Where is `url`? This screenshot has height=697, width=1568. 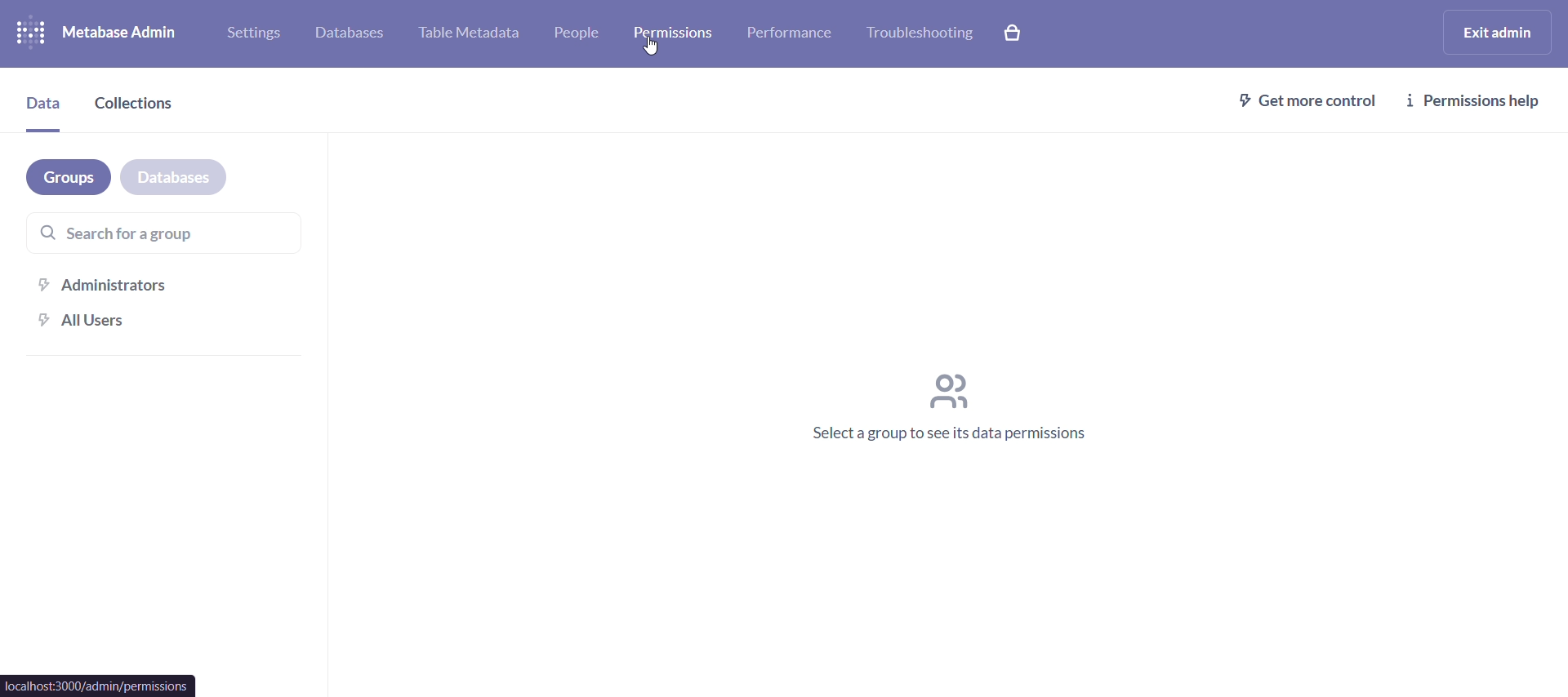 url is located at coordinates (99, 685).